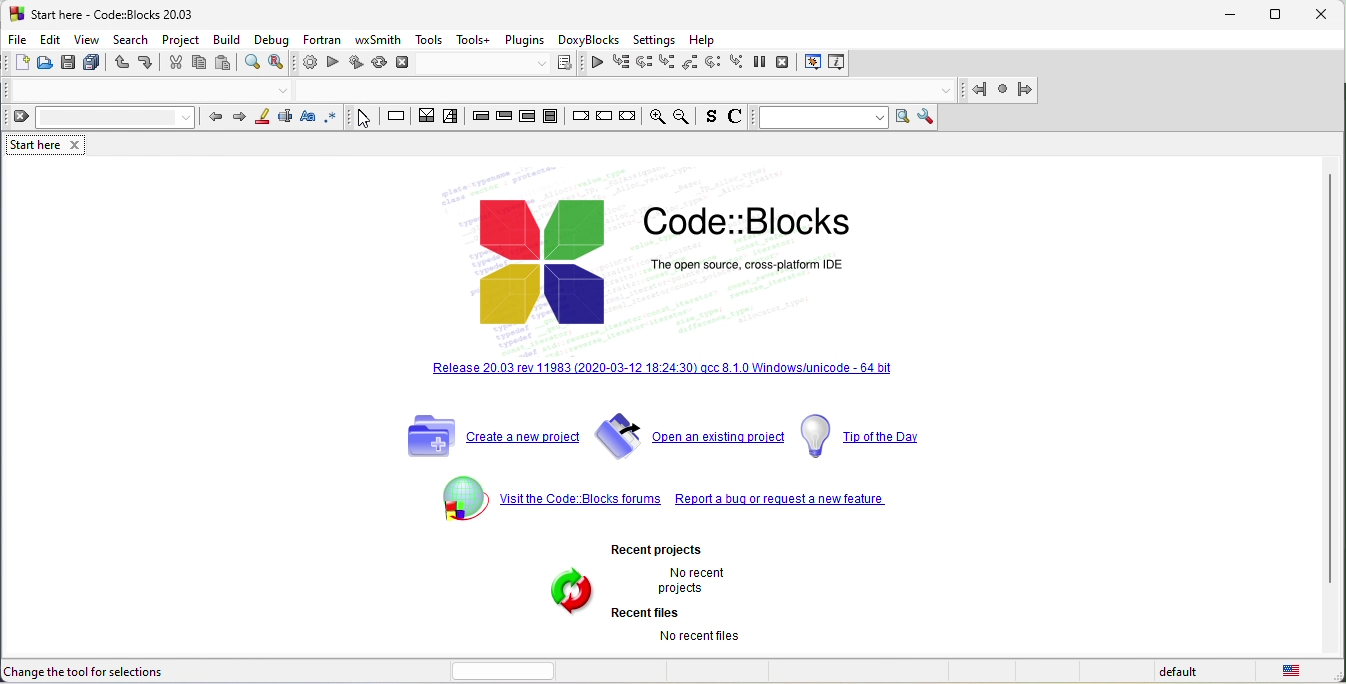 The width and height of the screenshot is (1346, 684). I want to click on selected text, so click(288, 117).